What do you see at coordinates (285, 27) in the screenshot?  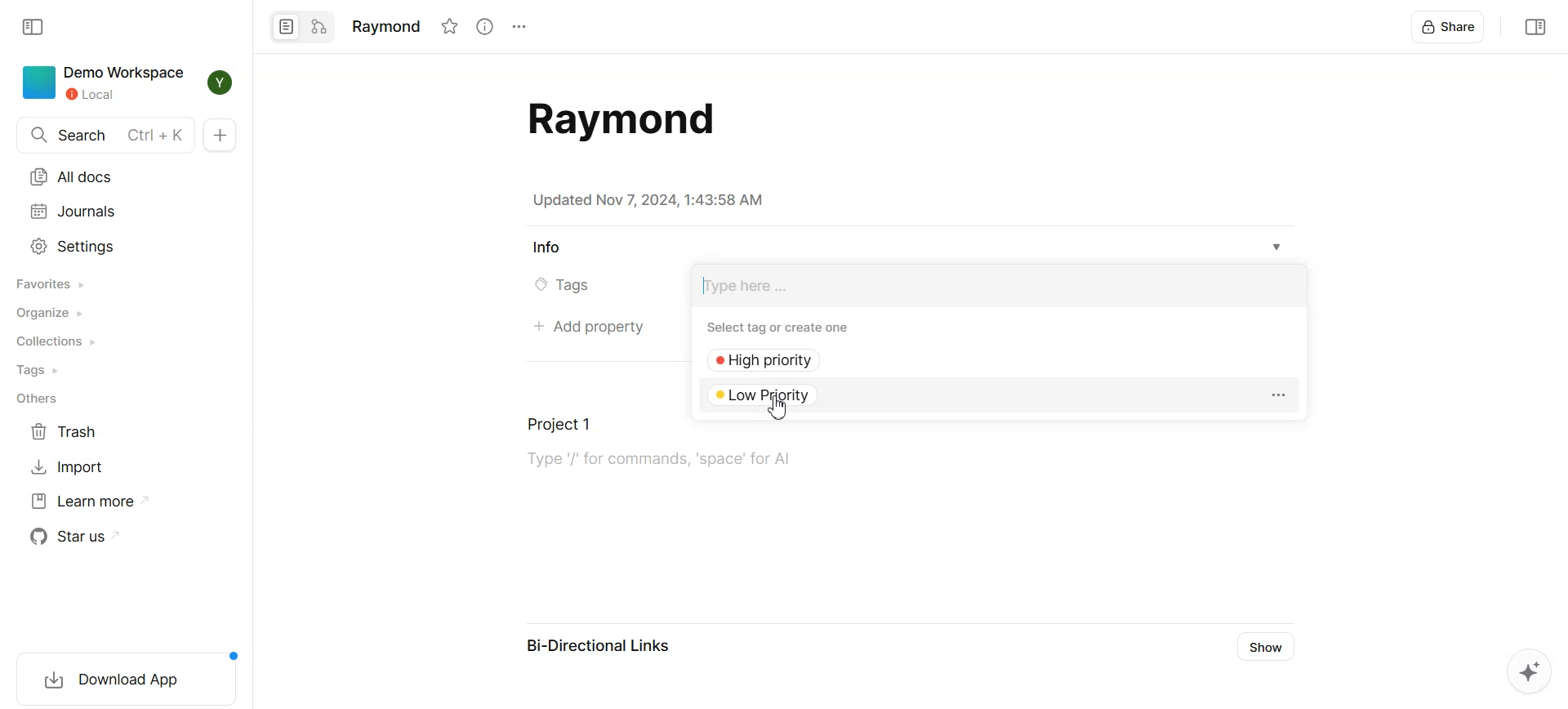 I see `Page` at bounding box center [285, 27].